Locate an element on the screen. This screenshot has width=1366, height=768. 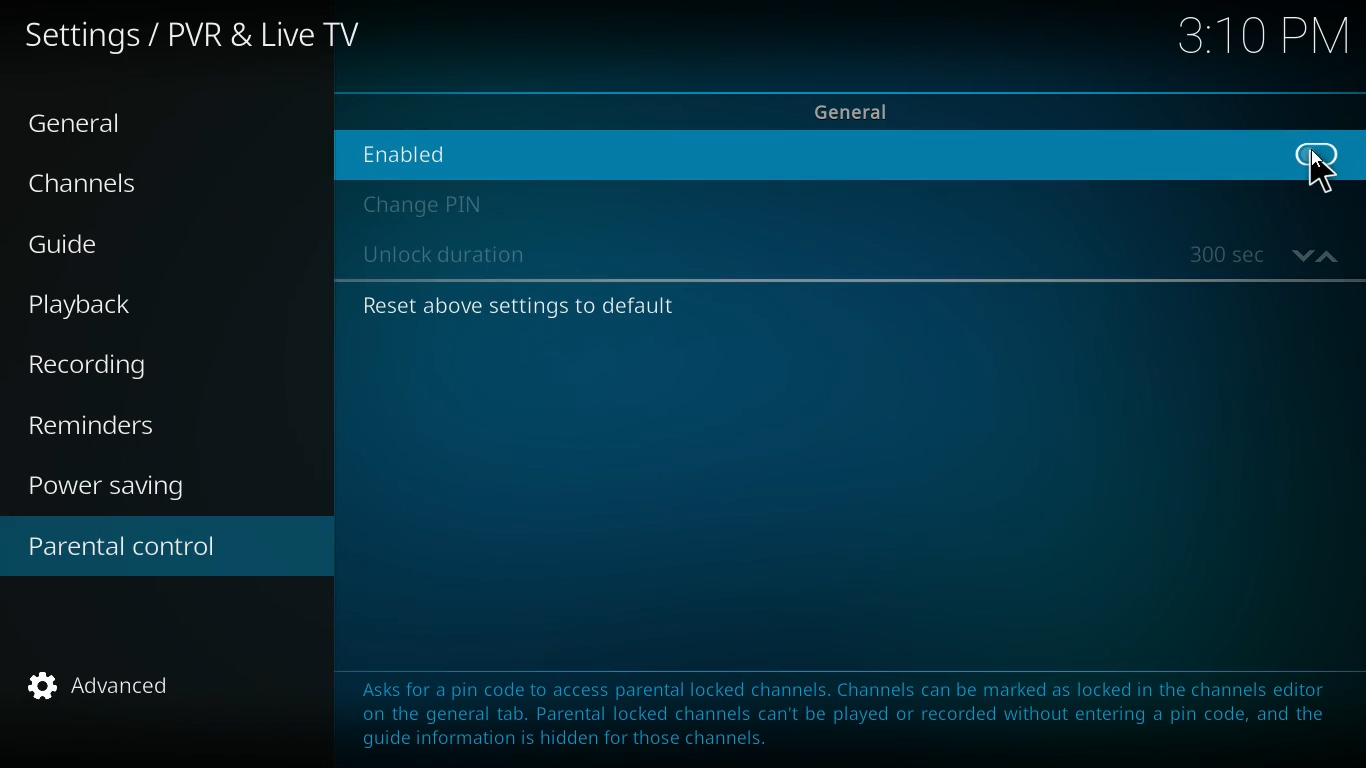
guide is located at coordinates (123, 247).